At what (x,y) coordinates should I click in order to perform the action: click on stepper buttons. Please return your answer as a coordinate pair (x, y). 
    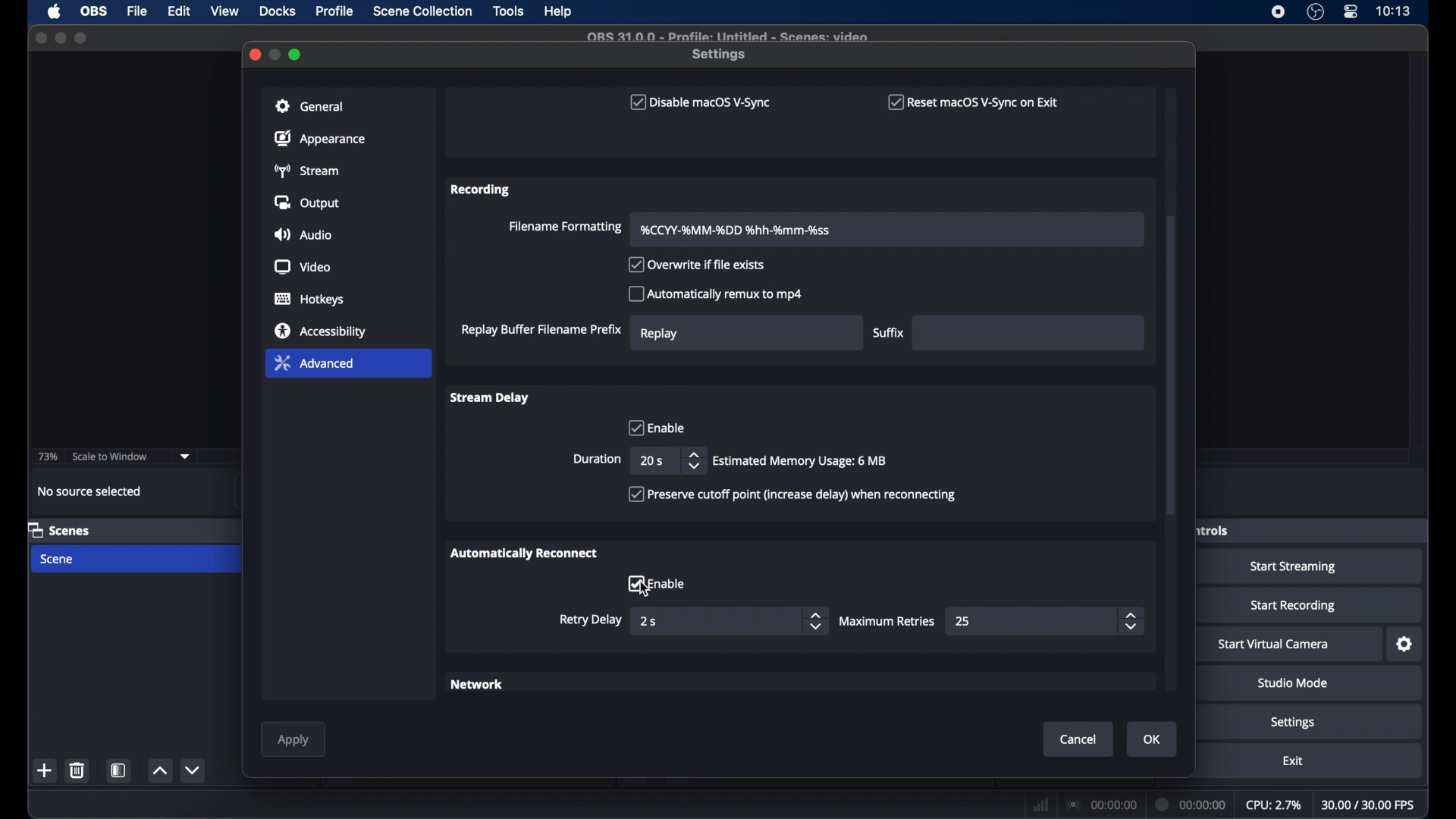
    Looking at the image, I should click on (814, 621).